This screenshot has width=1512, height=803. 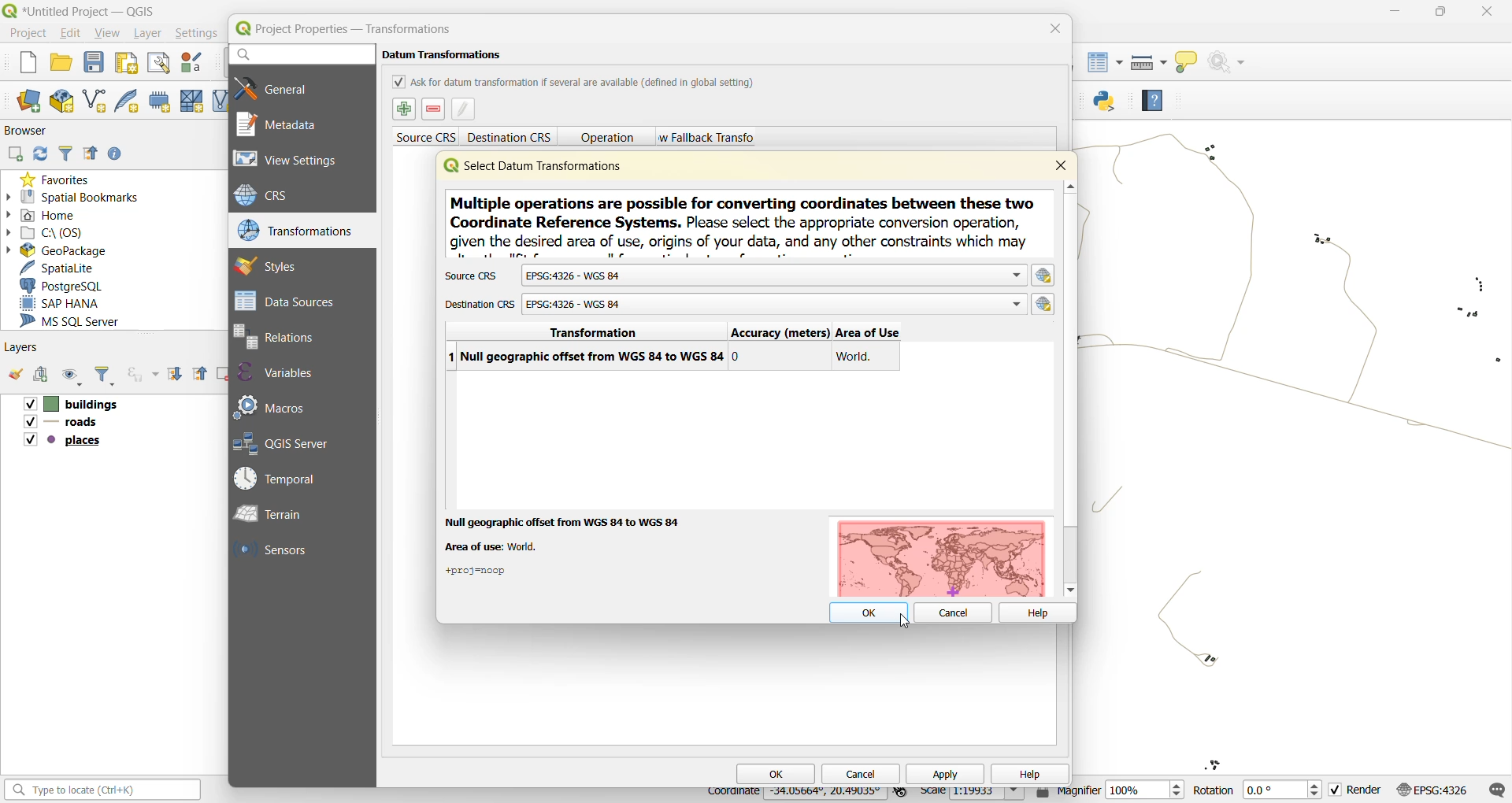 What do you see at coordinates (65, 441) in the screenshot?
I see `places` at bounding box center [65, 441].